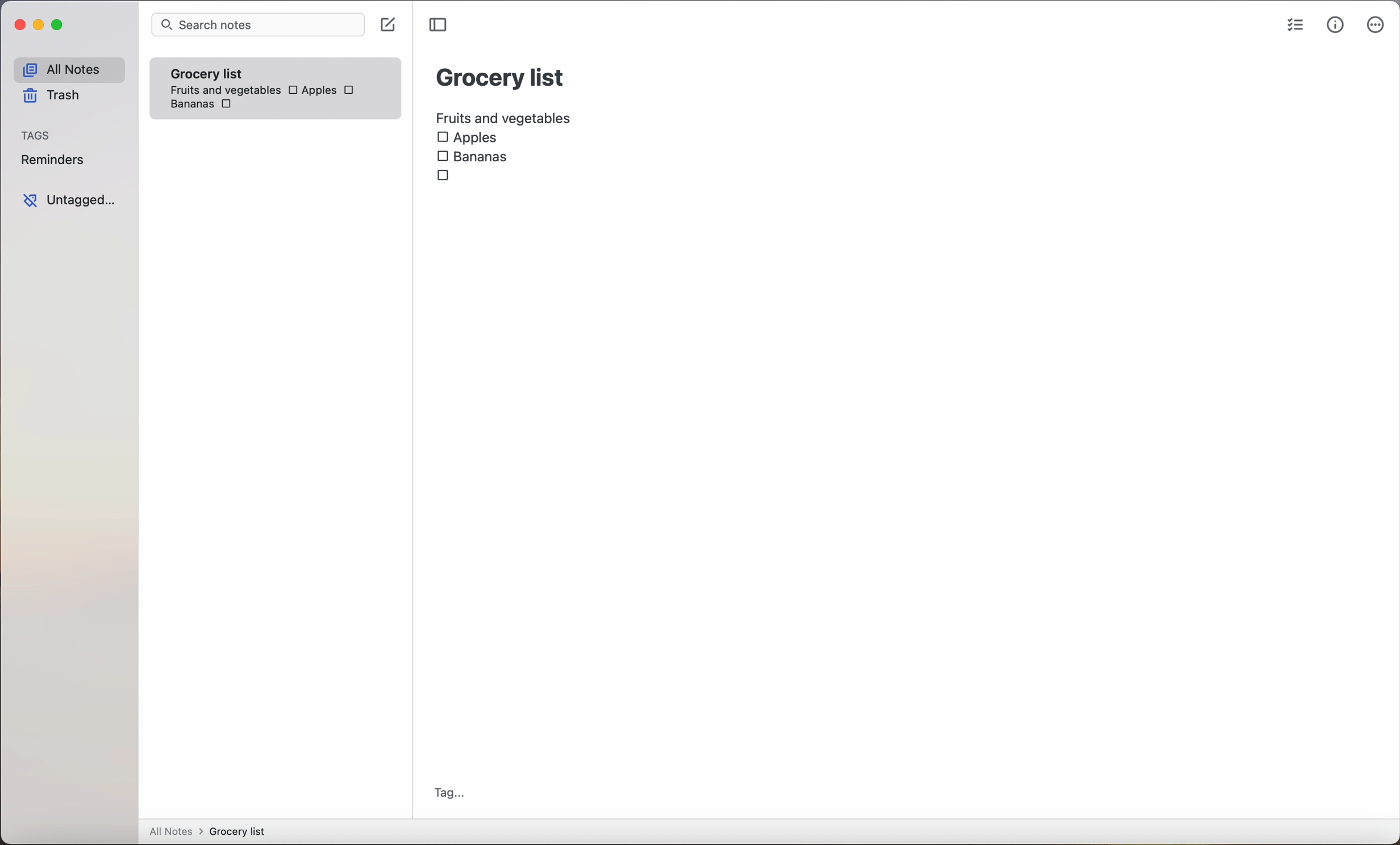 This screenshot has width=1400, height=845. Describe the element at coordinates (468, 137) in the screenshot. I see `Apples checkbox` at that location.